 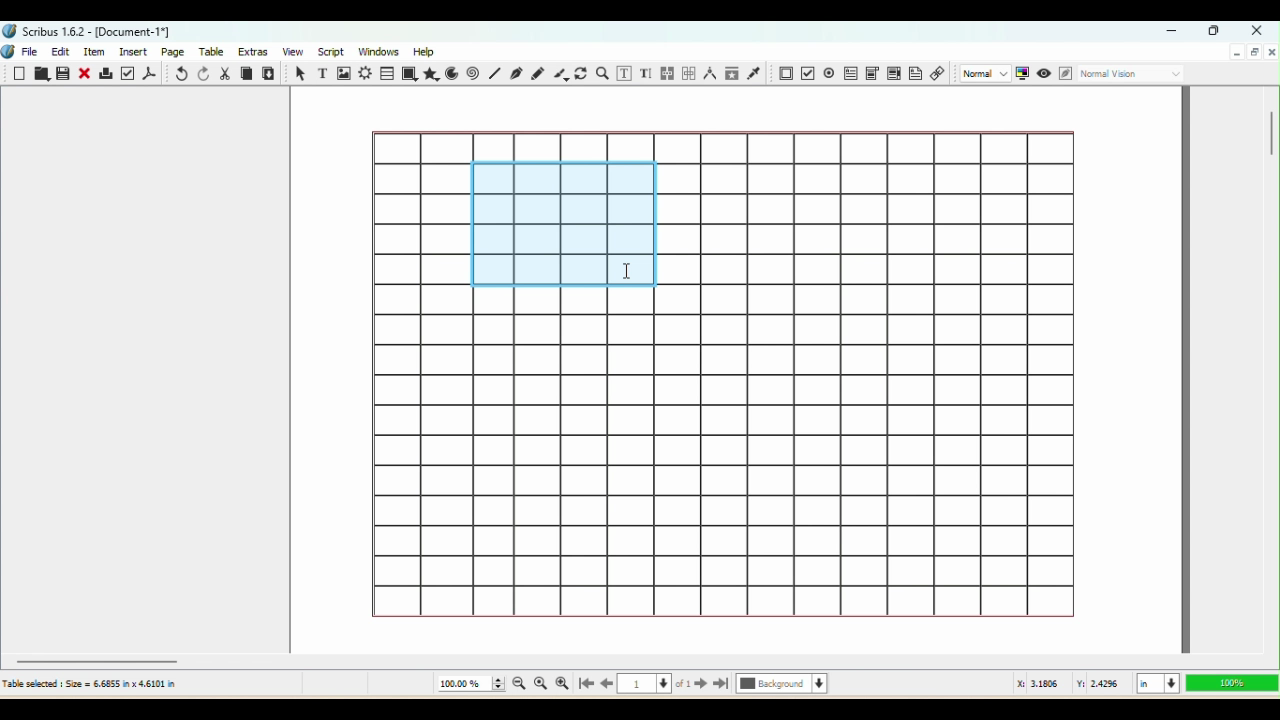 I want to click on Windows, so click(x=380, y=50).